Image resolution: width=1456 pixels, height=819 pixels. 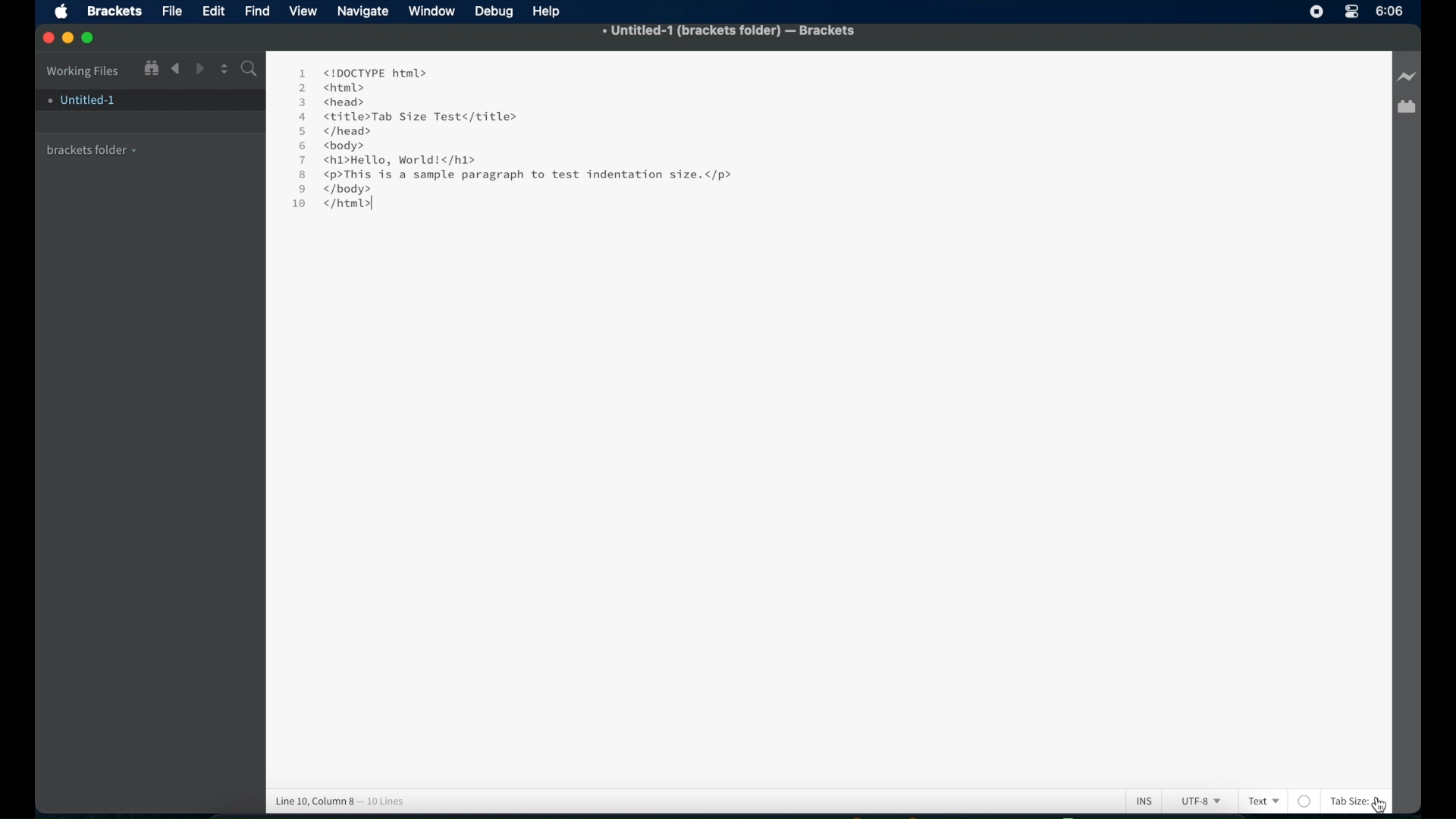 I want to click on Charging, so click(x=1406, y=77).